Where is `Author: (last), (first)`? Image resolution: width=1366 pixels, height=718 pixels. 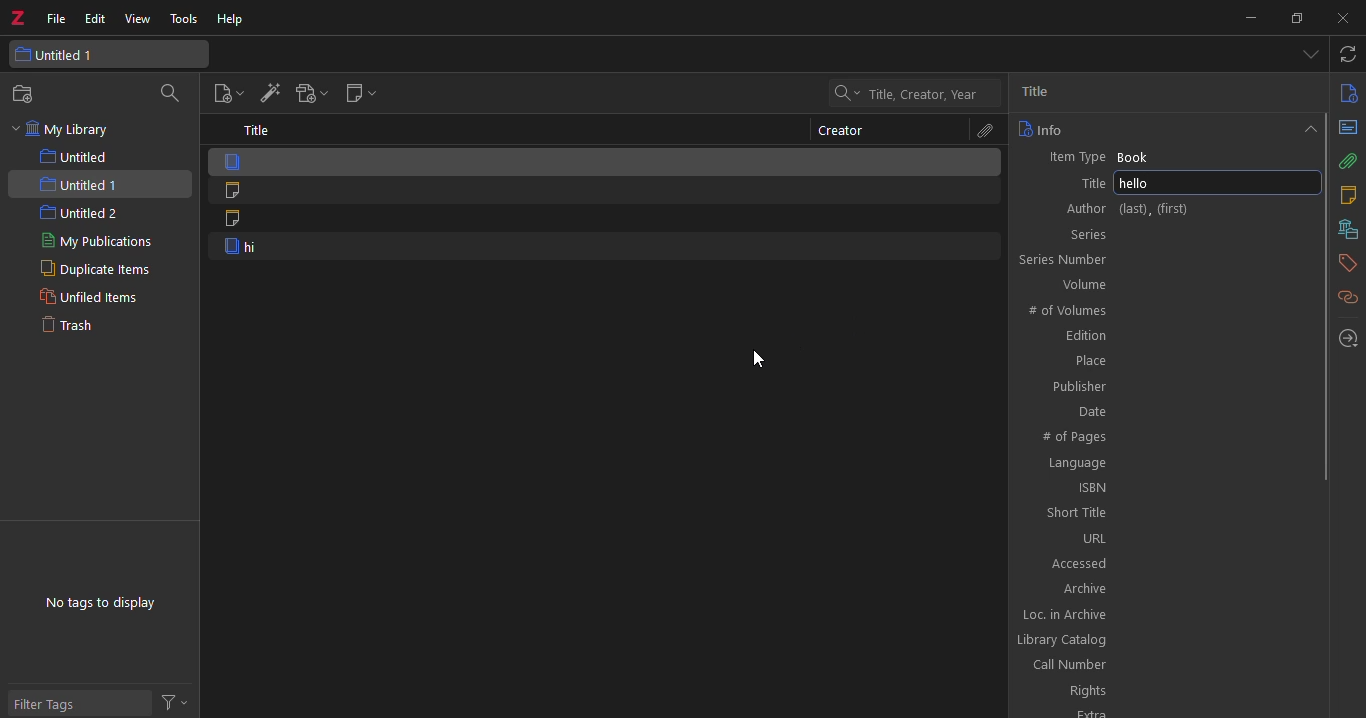
Author: (last), (first) is located at coordinates (1153, 209).